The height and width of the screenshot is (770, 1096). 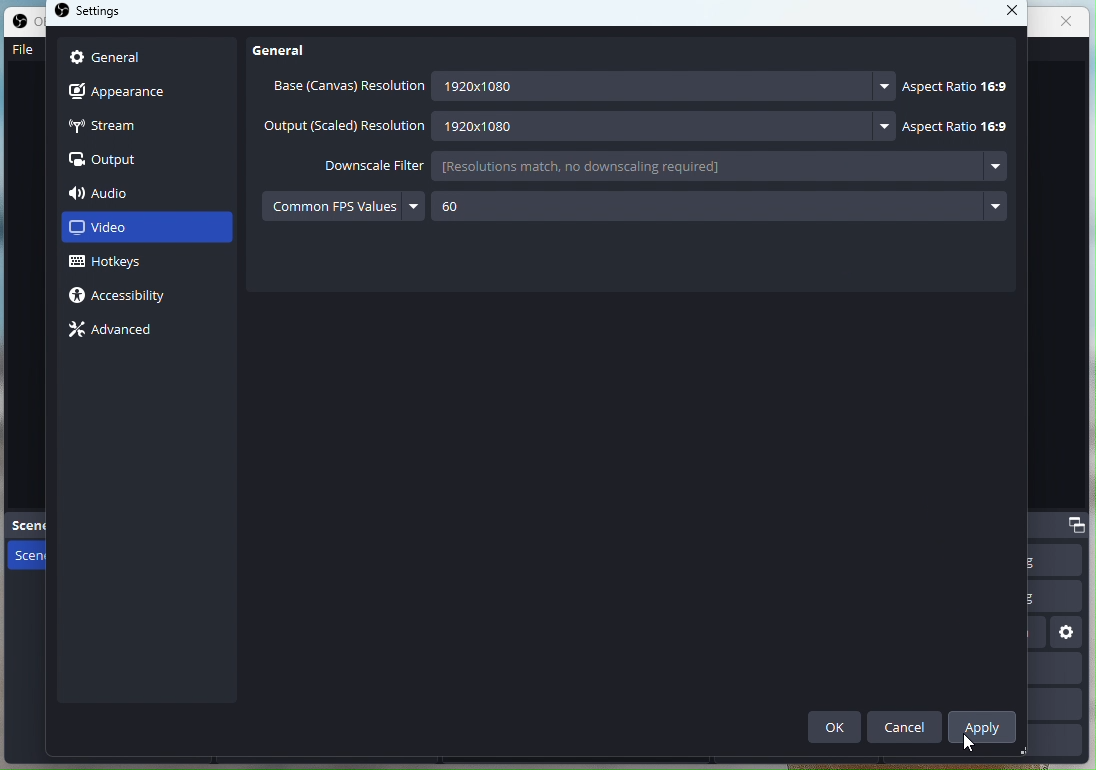 I want to click on Apply, so click(x=985, y=725).